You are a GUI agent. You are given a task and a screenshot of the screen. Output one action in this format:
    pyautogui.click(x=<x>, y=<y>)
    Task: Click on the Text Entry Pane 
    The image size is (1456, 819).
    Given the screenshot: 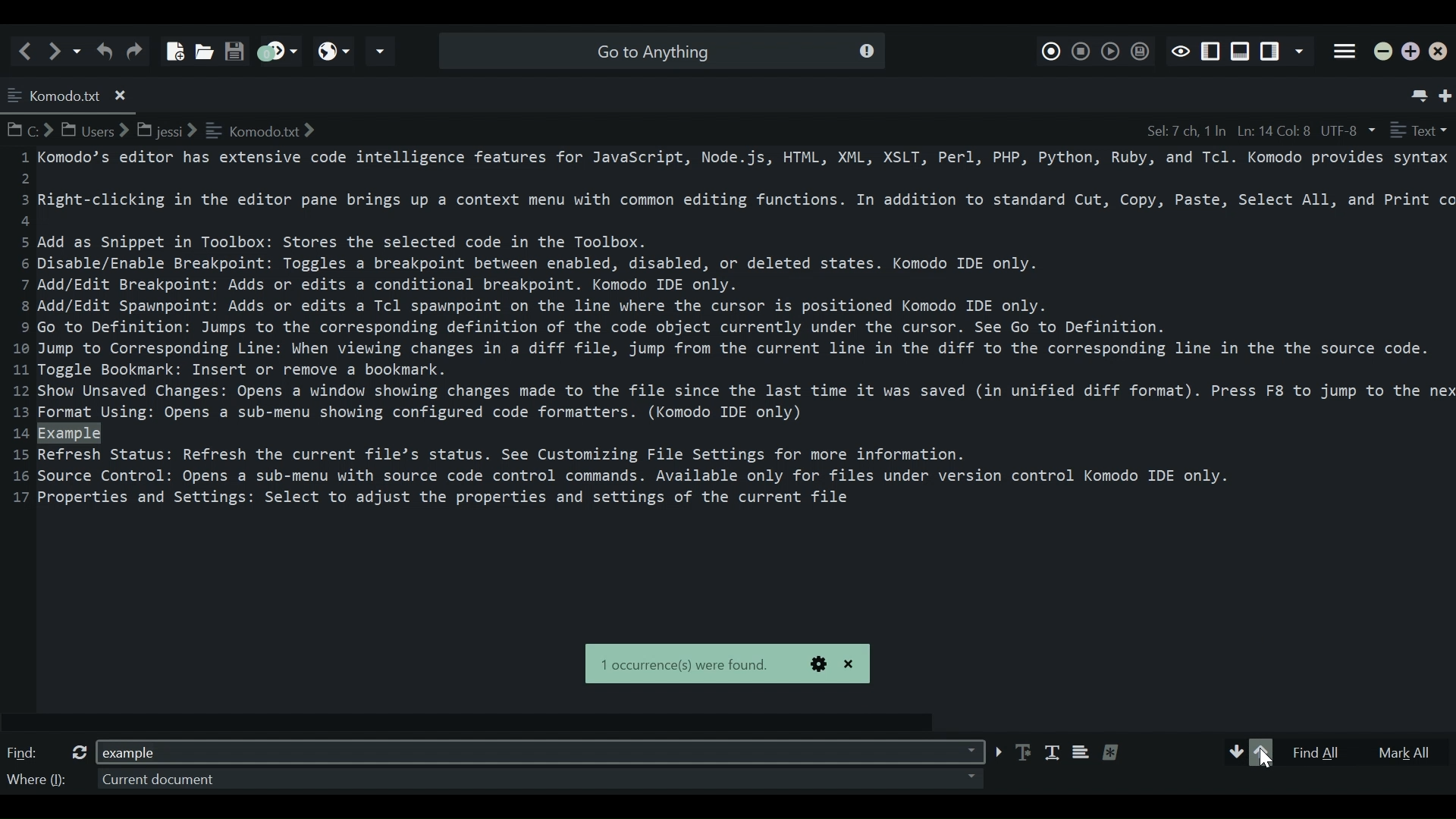 What is the action you would take?
    pyautogui.click(x=726, y=391)
    